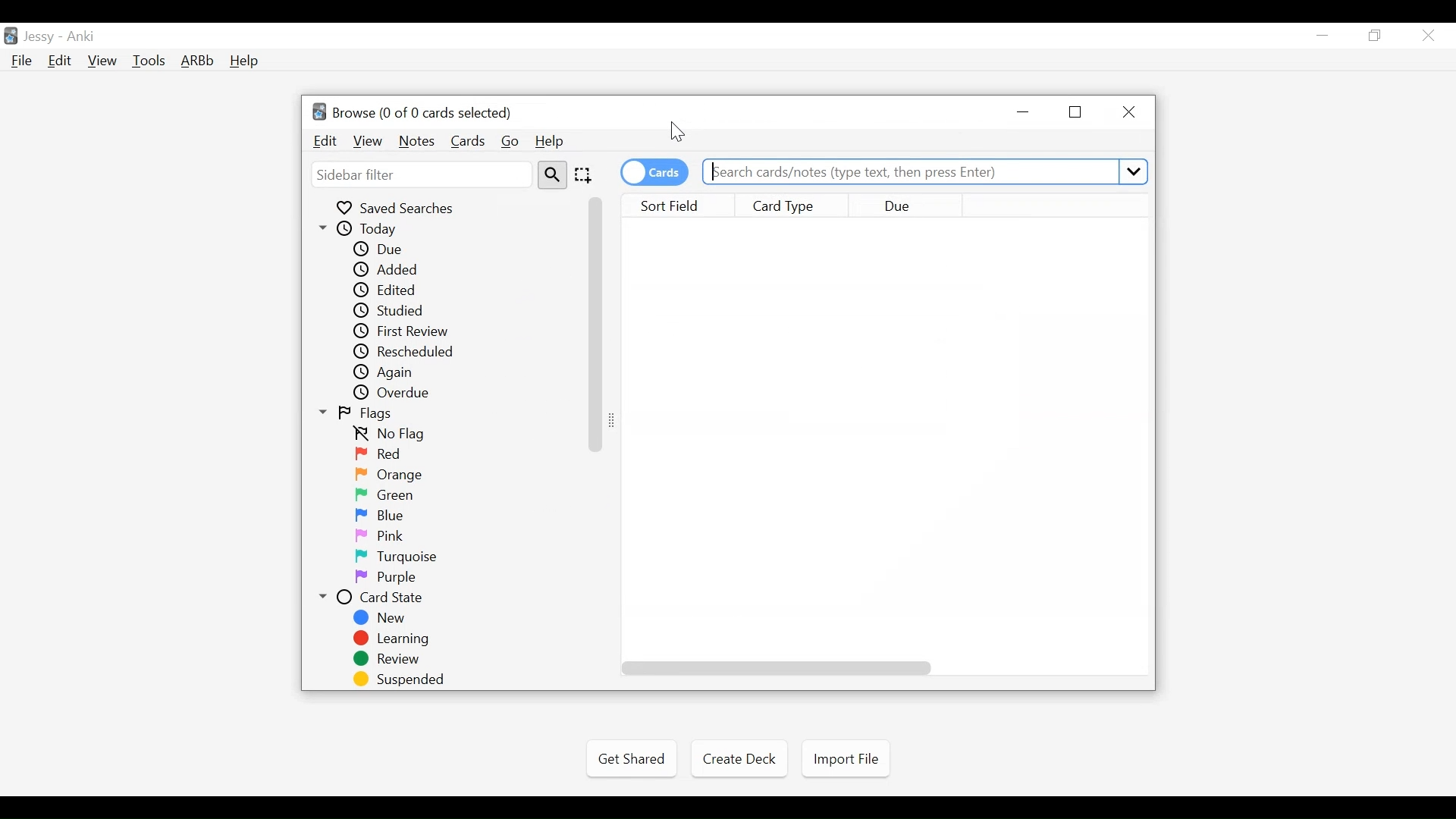  What do you see at coordinates (739, 758) in the screenshot?
I see `Create Deck` at bounding box center [739, 758].